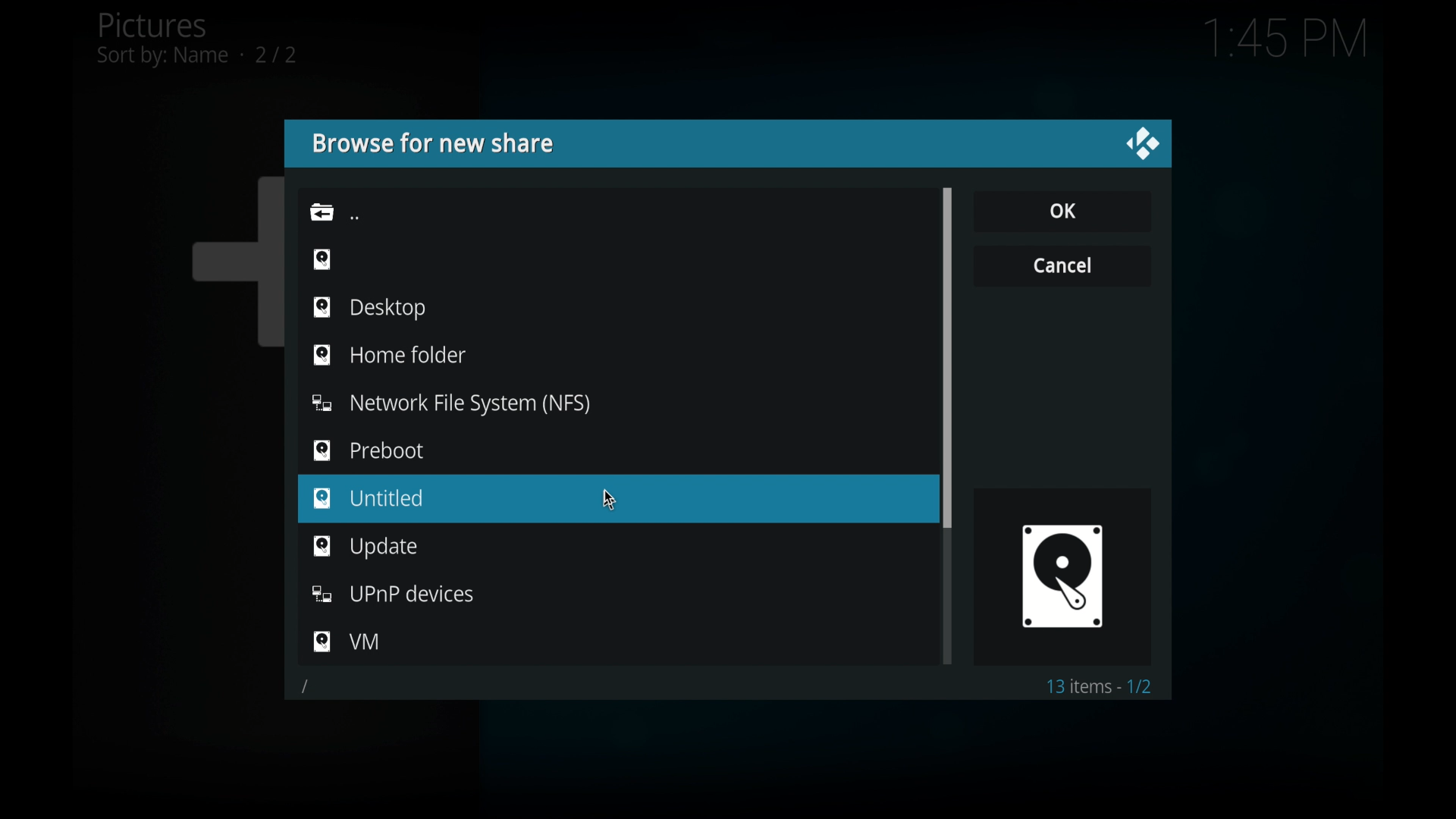  Describe the element at coordinates (1061, 575) in the screenshot. I see `browse icon` at that location.